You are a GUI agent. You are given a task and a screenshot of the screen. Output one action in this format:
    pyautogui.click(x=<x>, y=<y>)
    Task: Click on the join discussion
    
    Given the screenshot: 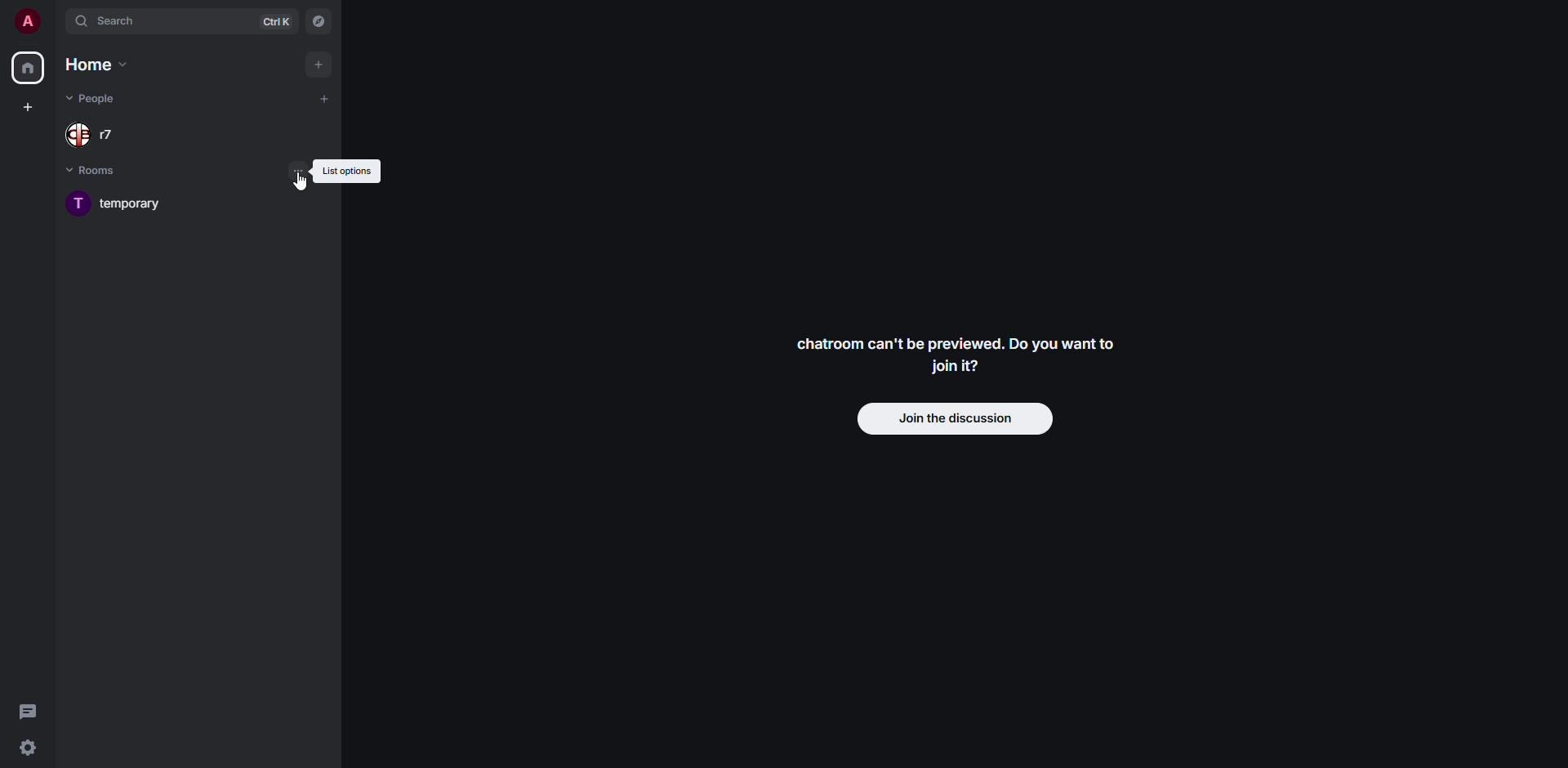 What is the action you would take?
    pyautogui.click(x=957, y=420)
    